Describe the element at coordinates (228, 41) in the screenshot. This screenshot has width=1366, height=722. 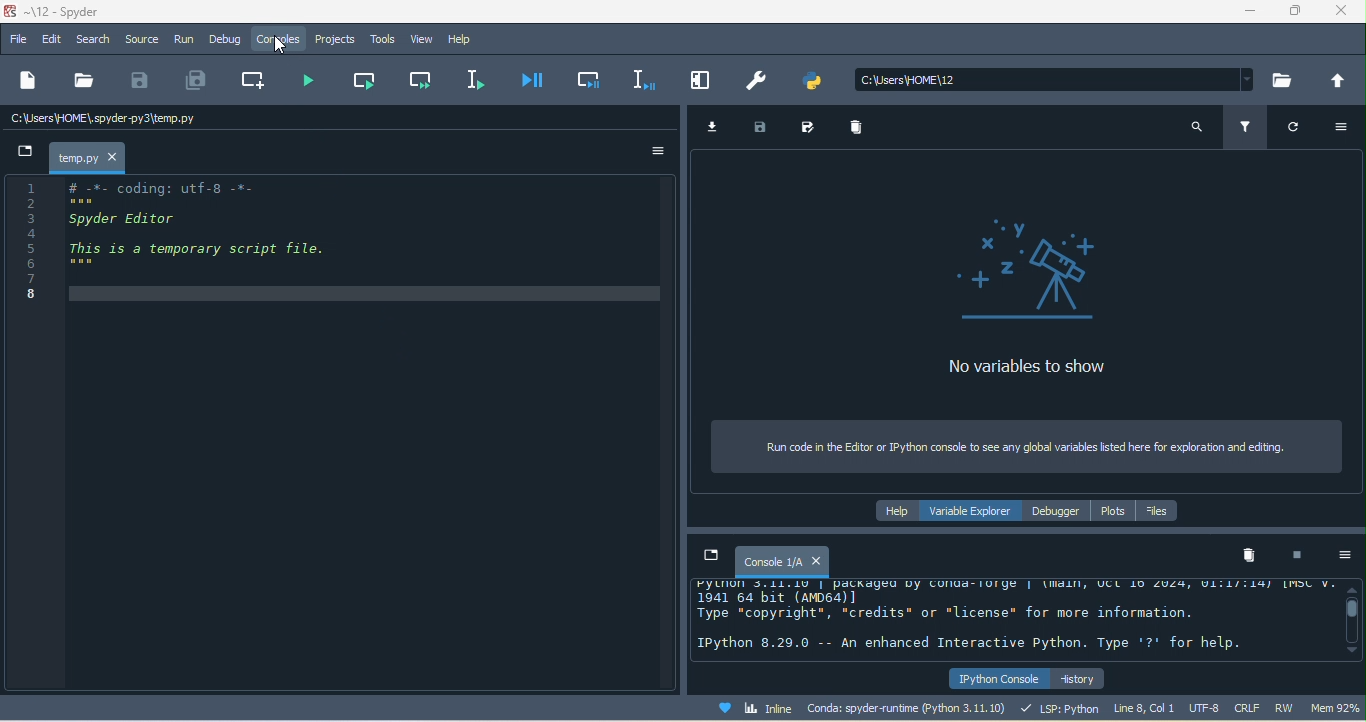
I see `debug` at that location.